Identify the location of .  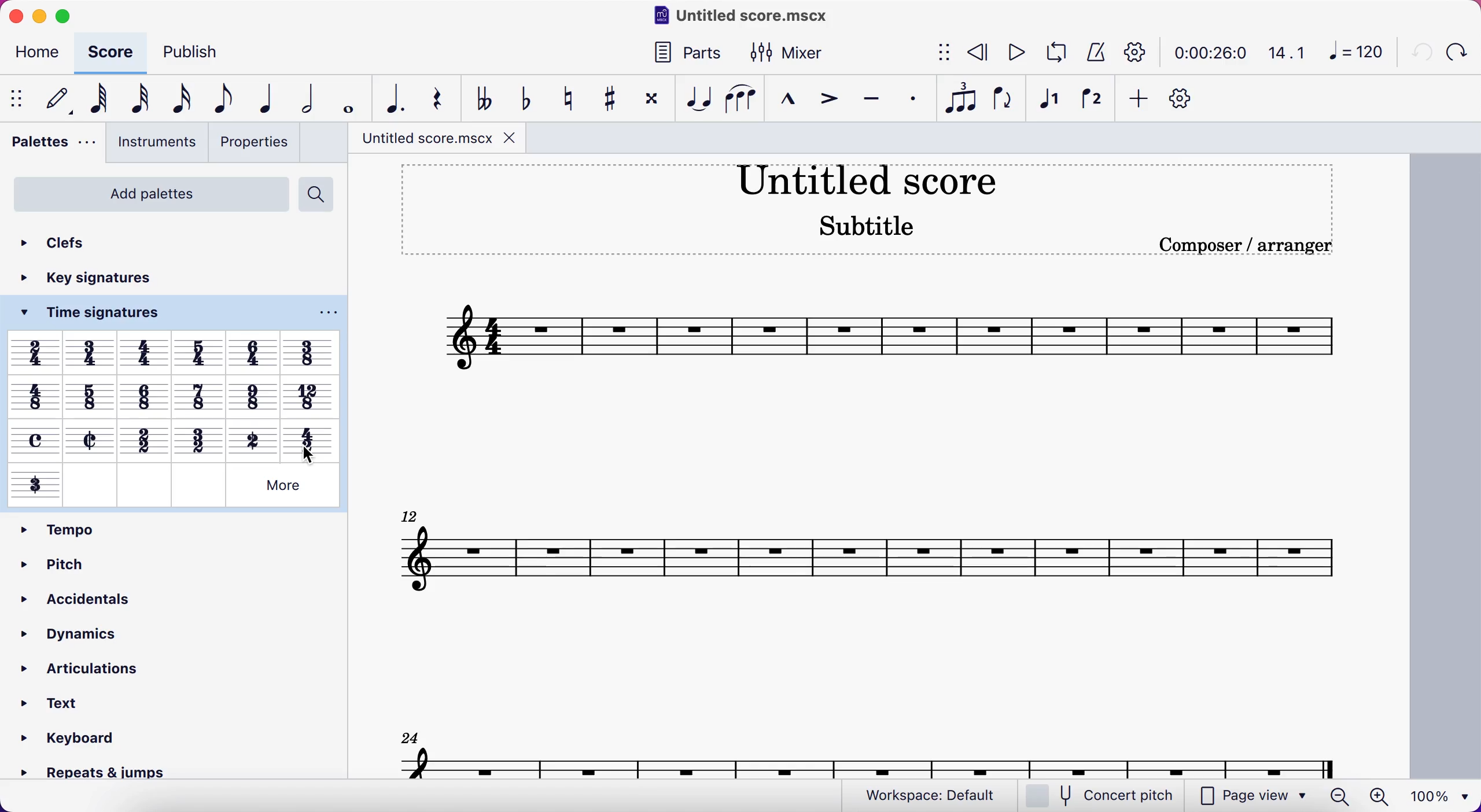
(146, 352).